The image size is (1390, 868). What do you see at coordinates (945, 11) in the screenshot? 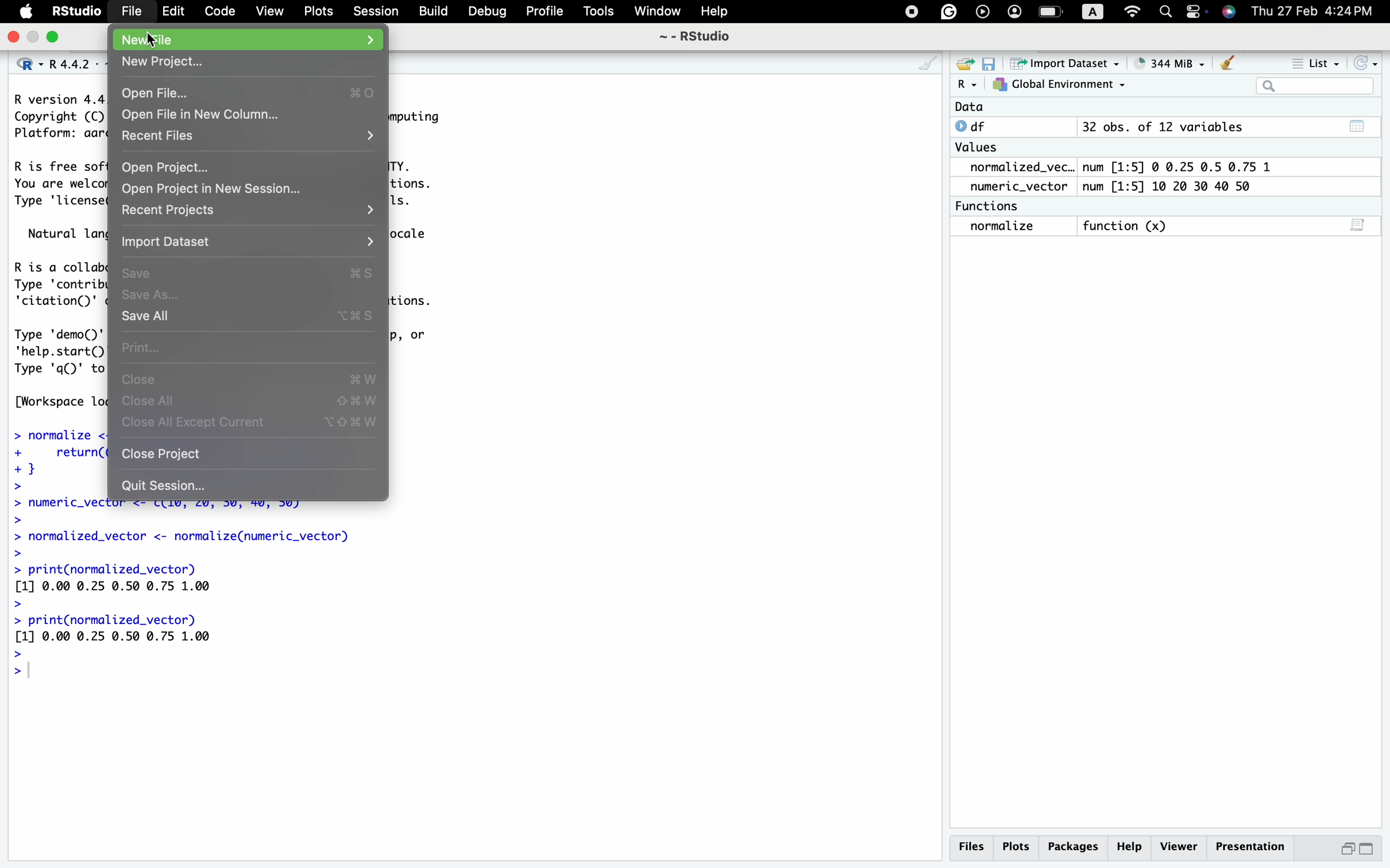
I see `google drive` at bounding box center [945, 11].